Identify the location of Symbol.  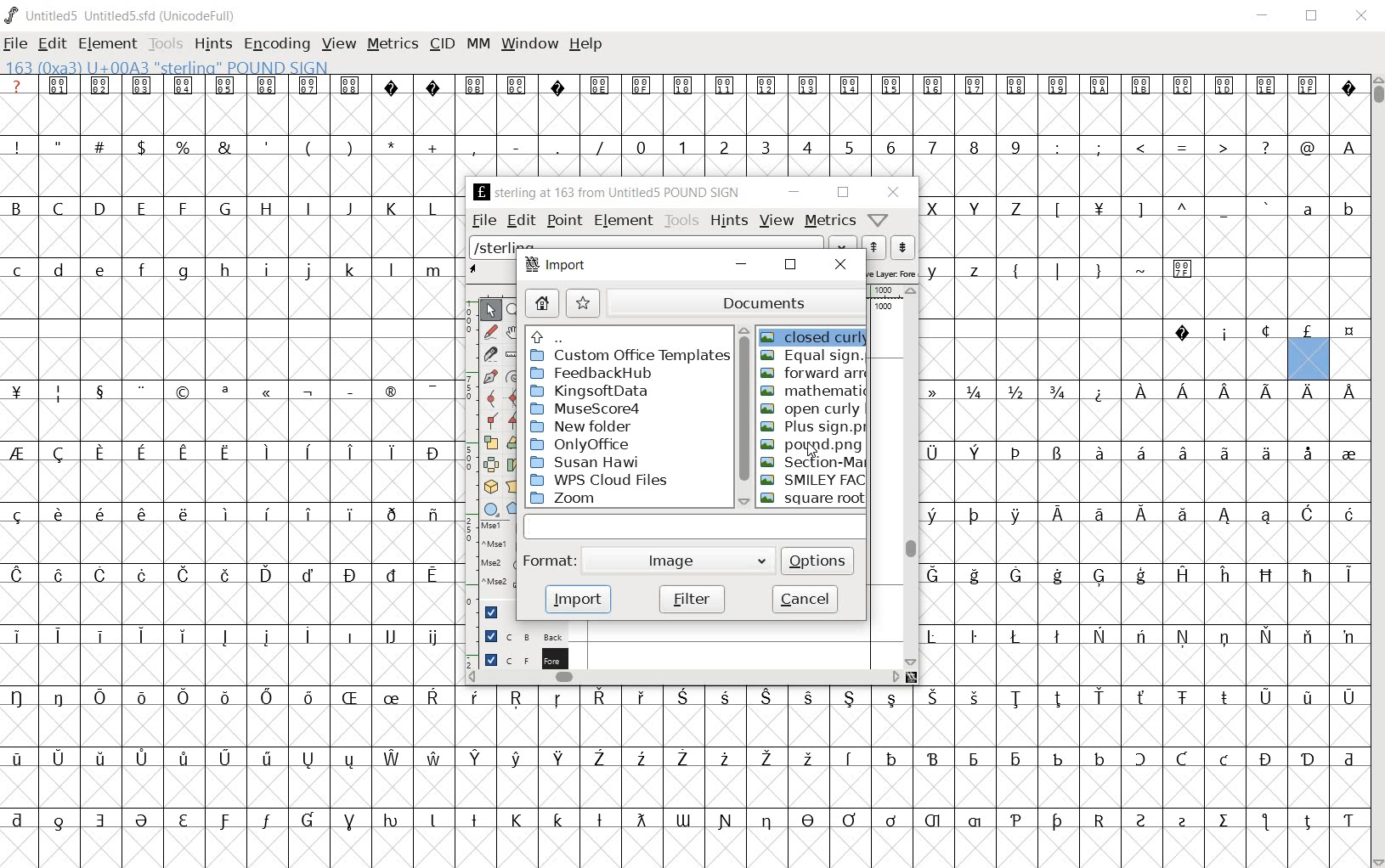
(97, 634).